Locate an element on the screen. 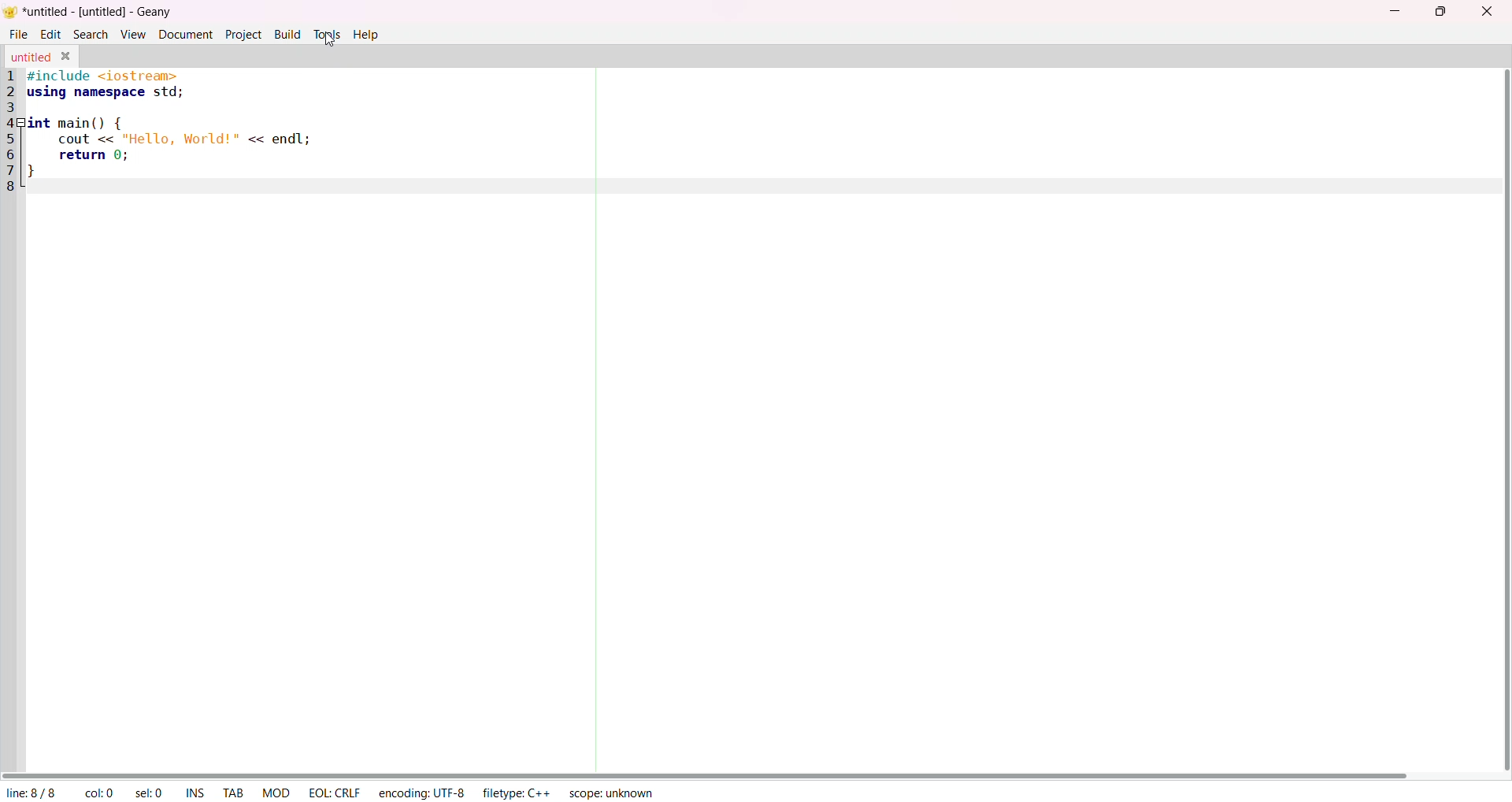 The image size is (1512, 802). untitled - [untitled] - Geany is located at coordinates (98, 13).